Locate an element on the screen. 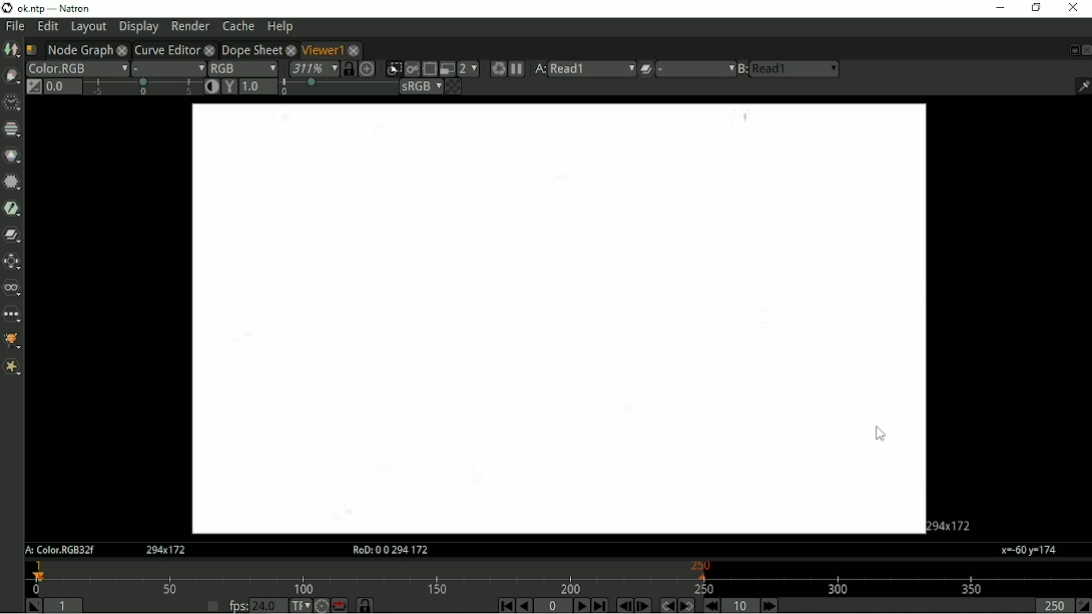 The height and width of the screenshot is (614, 1092). Script name is located at coordinates (32, 50).